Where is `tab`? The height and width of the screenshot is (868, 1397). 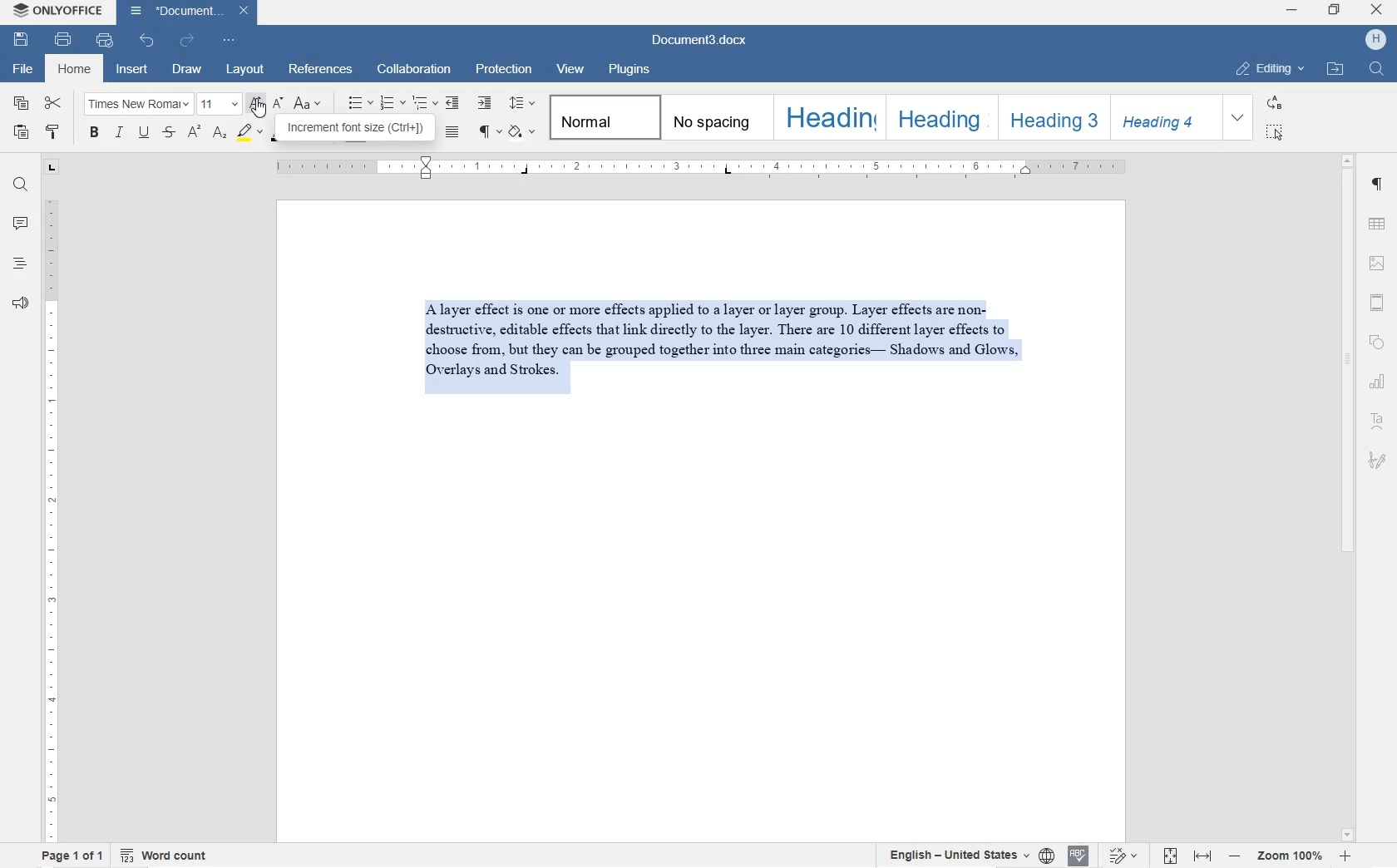 tab is located at coordinates (52, 168).